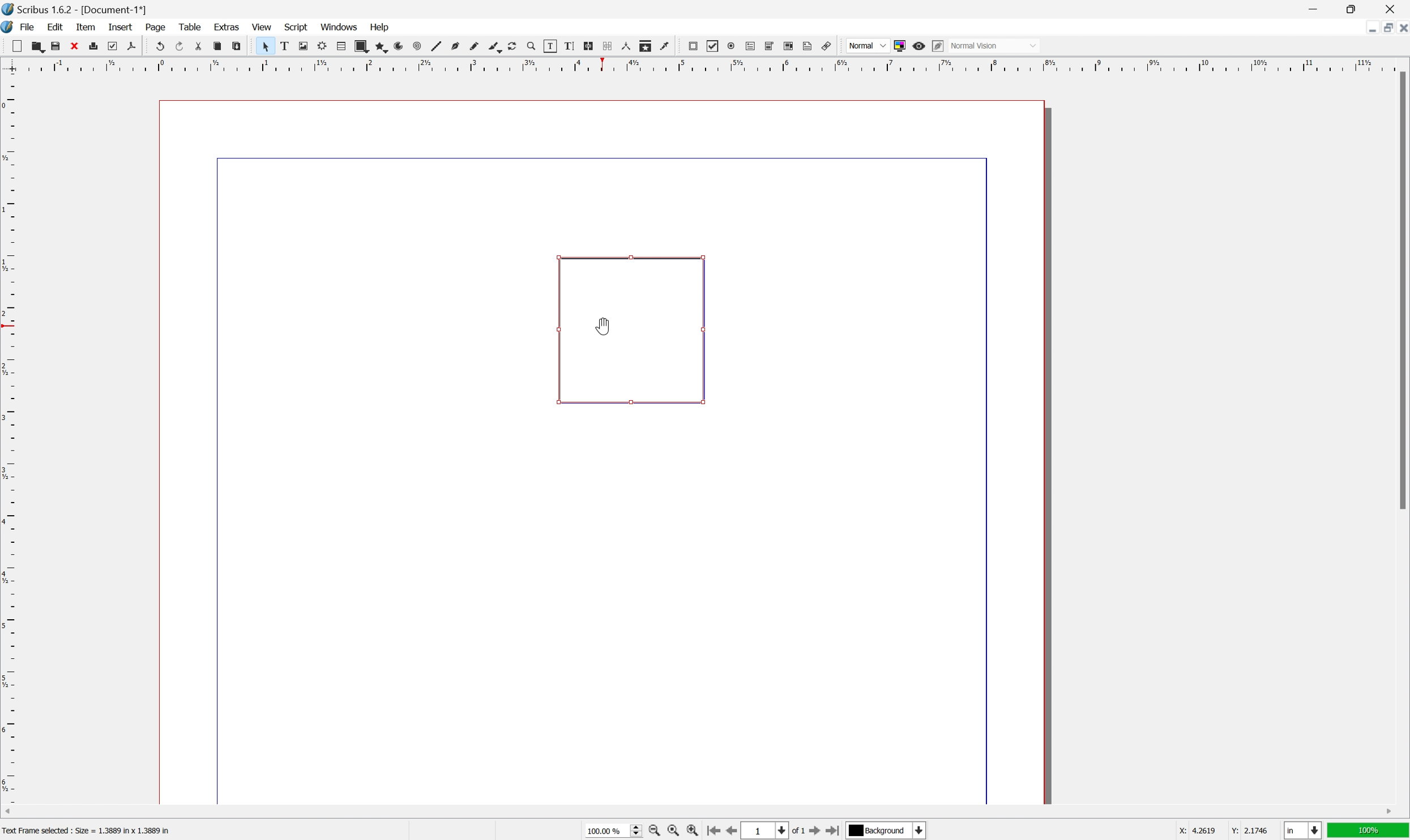  Describe the element at coordinates (399, 46) in the screenshot. I see `arc` at that location.